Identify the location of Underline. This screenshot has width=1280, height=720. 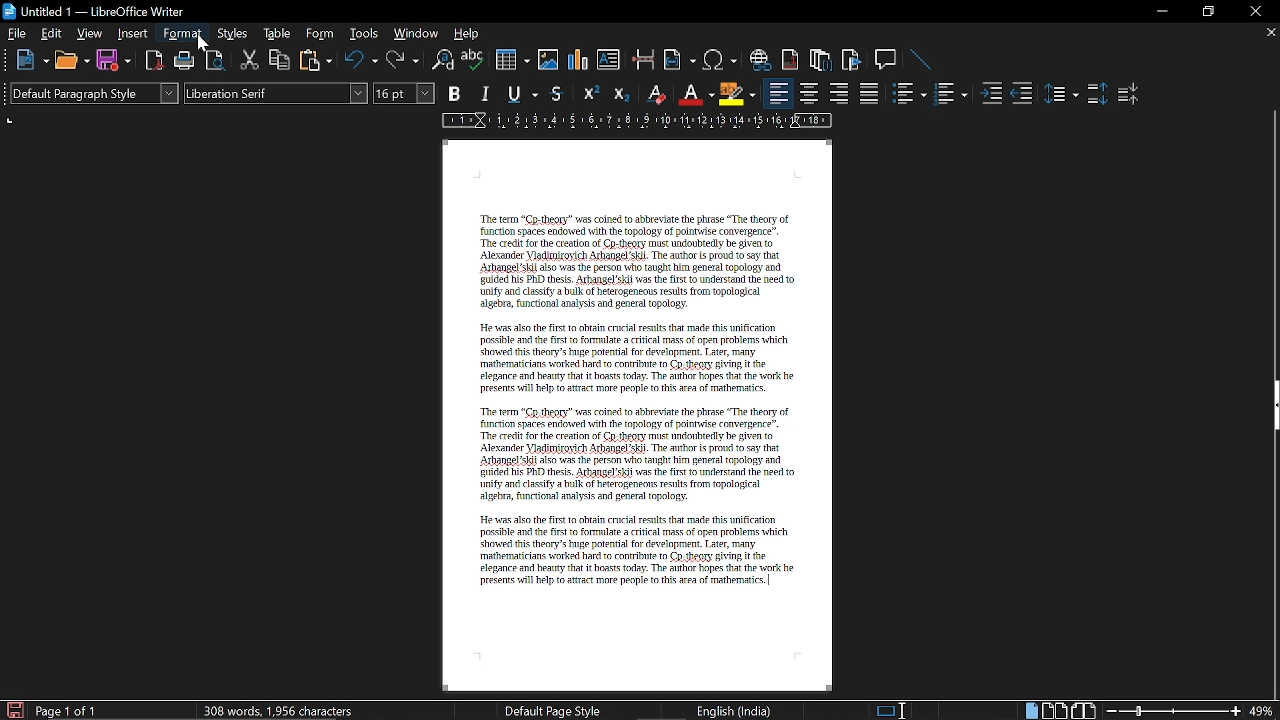
(695, 95).